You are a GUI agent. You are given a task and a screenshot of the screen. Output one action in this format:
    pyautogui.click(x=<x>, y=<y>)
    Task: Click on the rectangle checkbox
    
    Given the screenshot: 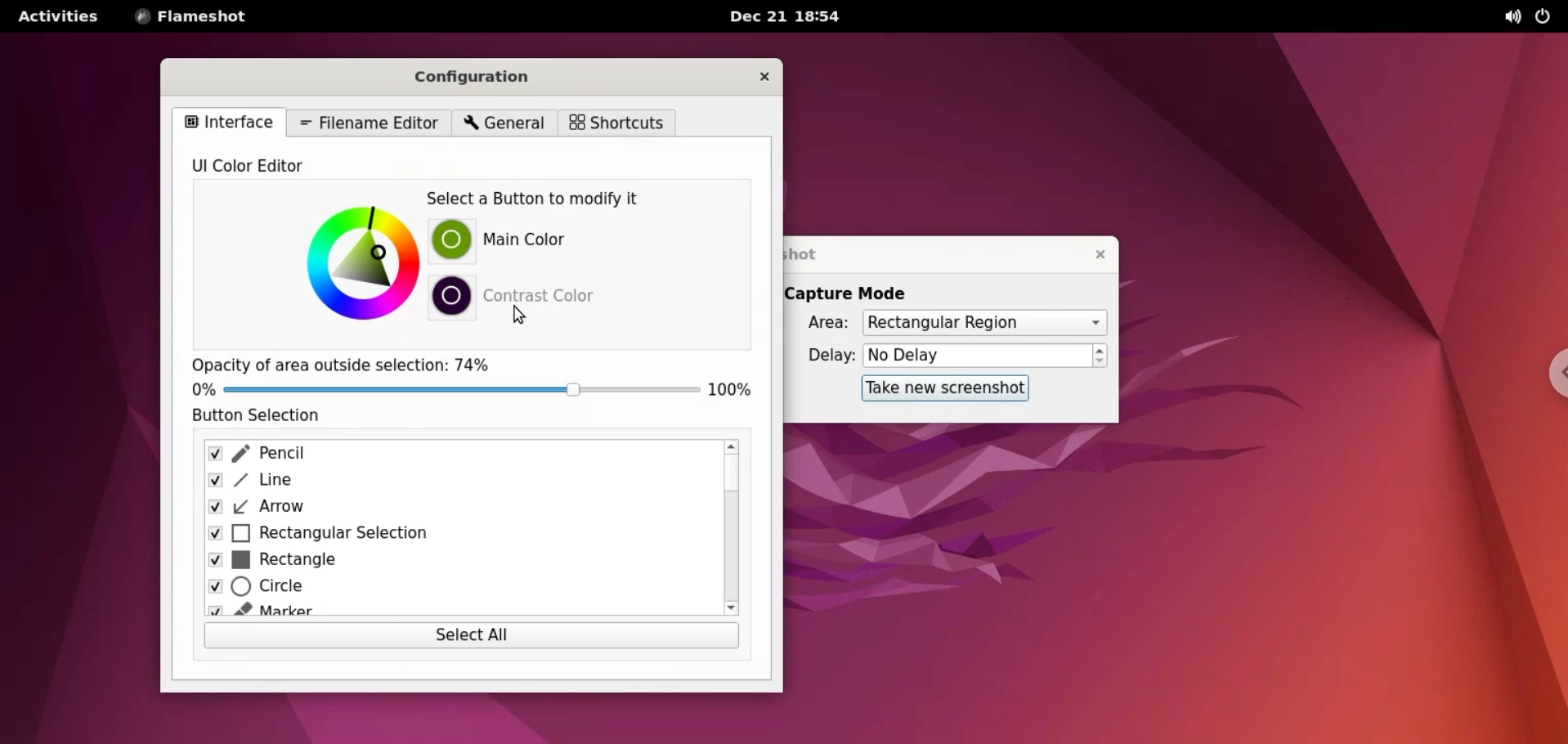 What is the action you would take?
    pyautogui.click(x=450, y=563)
    